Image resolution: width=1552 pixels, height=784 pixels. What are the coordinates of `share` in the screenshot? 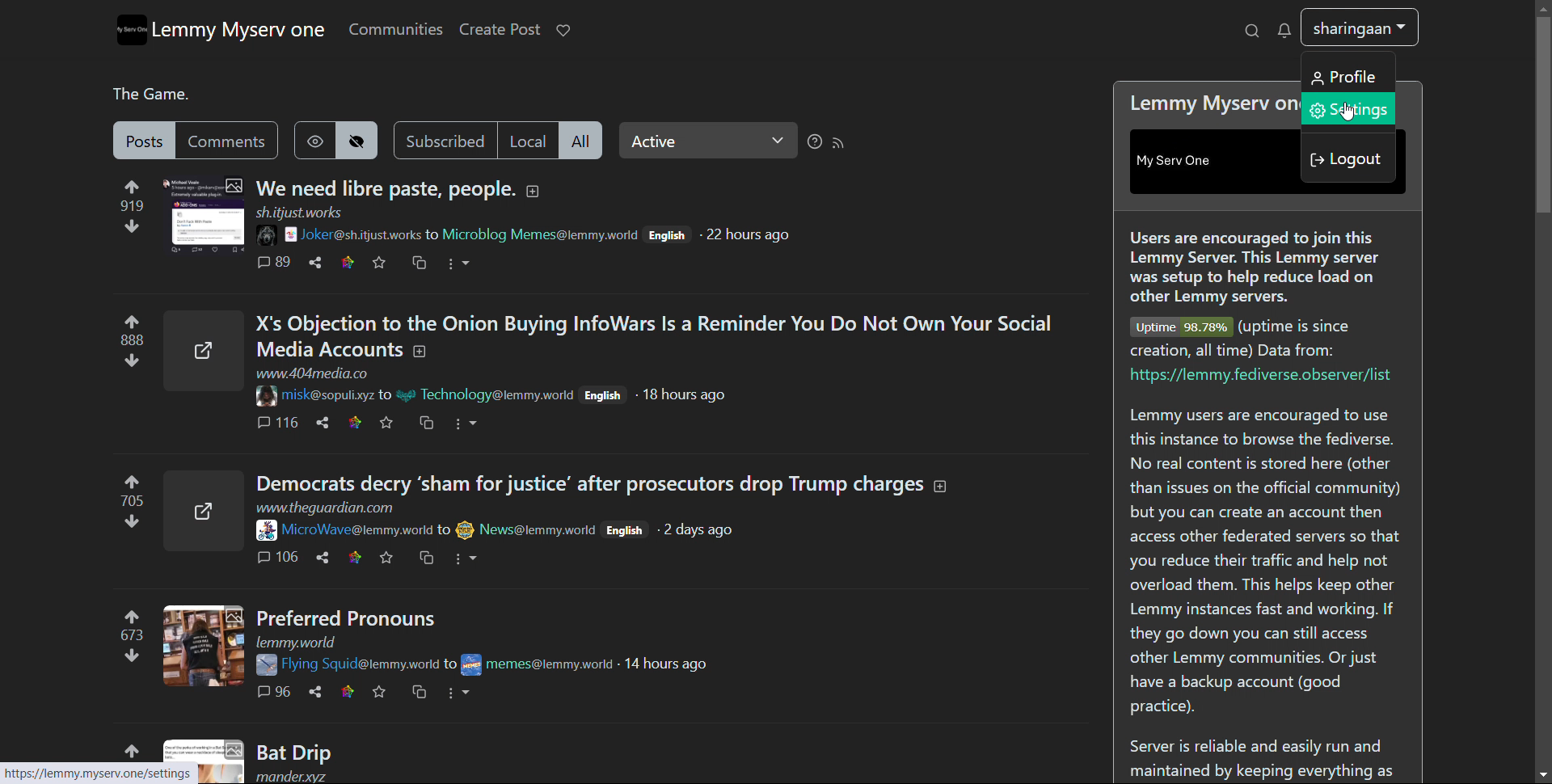 It's located at (316, 691).